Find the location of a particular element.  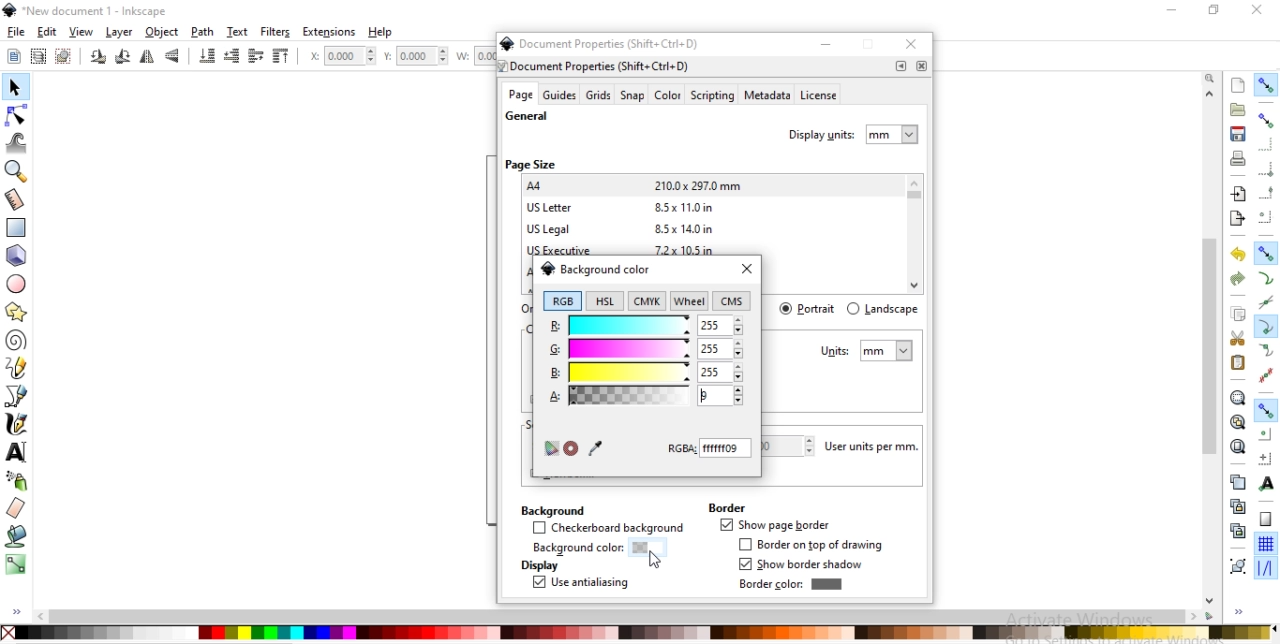

background is located at coordinates (551, 509).